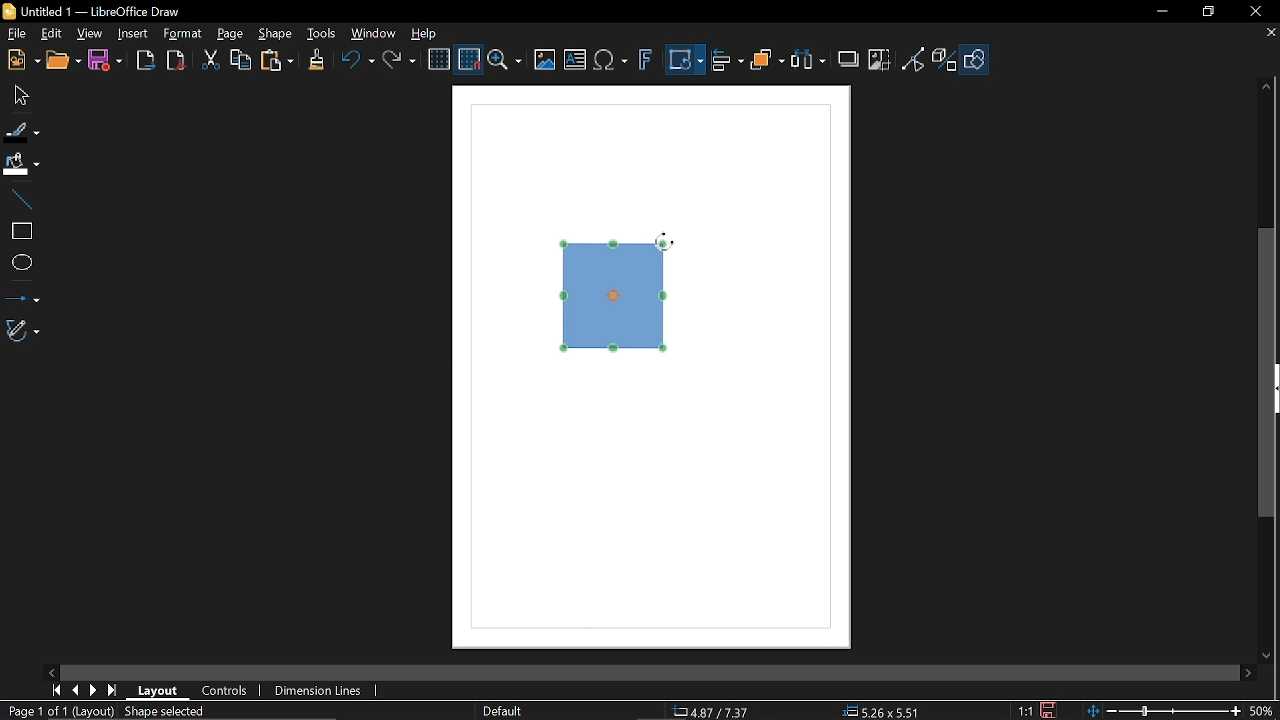 Image resolution: width=1280 pixels, height=720 pixels. Describe the element at coordinates (914, 59) in the screenshot. I see `Toggle ` at that location.